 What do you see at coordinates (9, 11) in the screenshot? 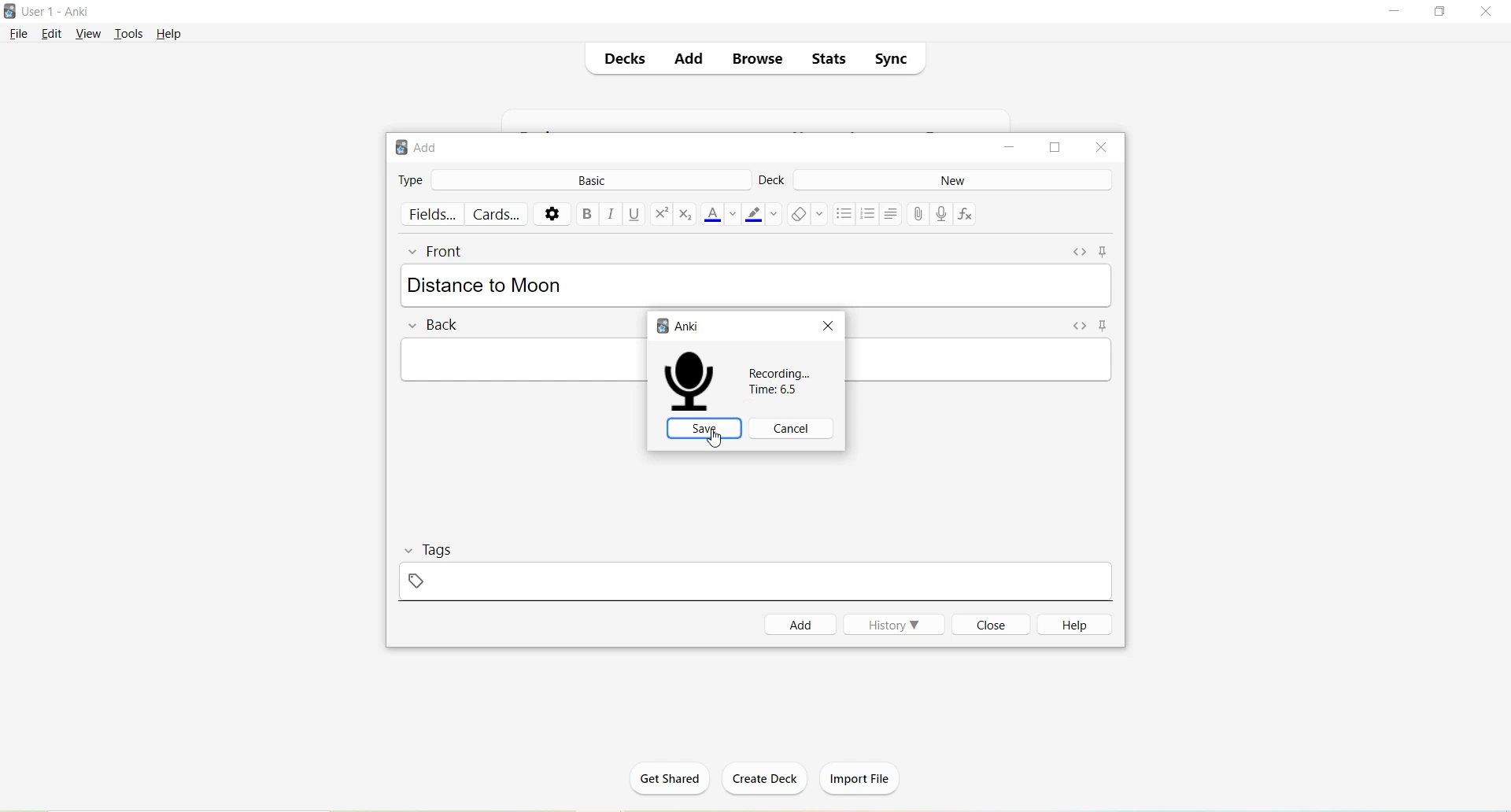
I see `Logo` at bounding box center [9, 11].